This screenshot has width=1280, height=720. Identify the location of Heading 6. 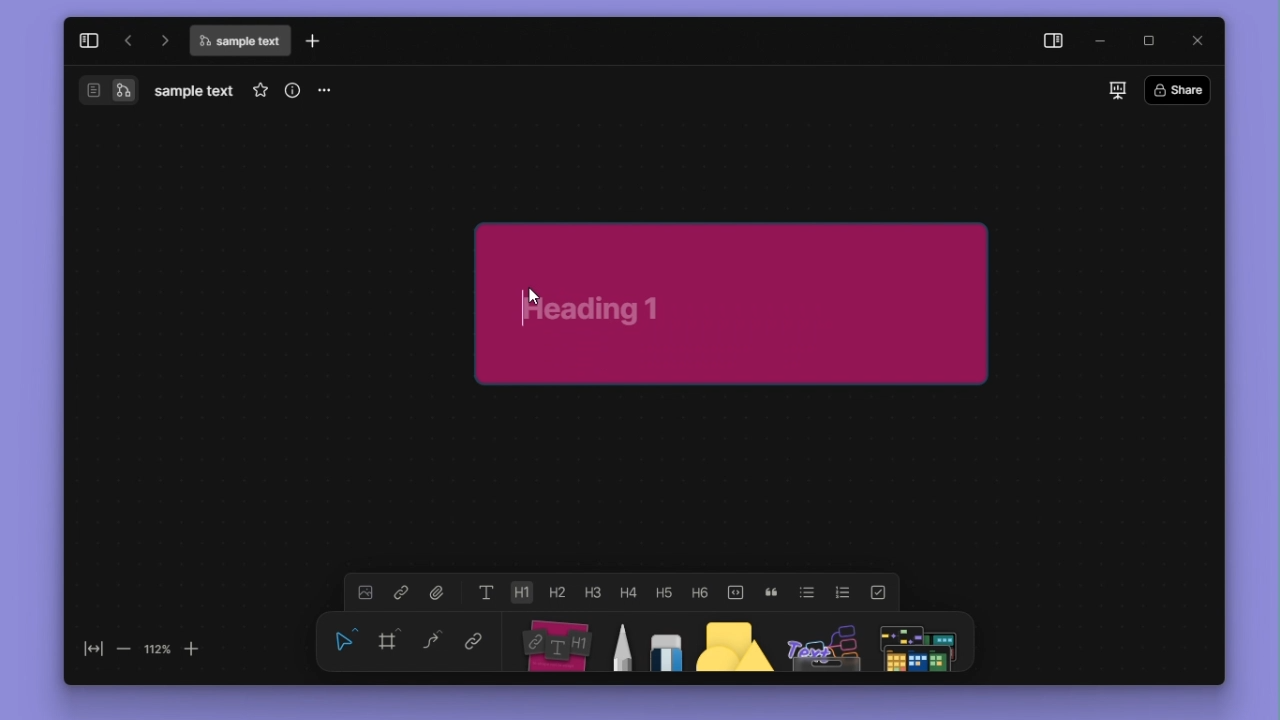
(698, 591).